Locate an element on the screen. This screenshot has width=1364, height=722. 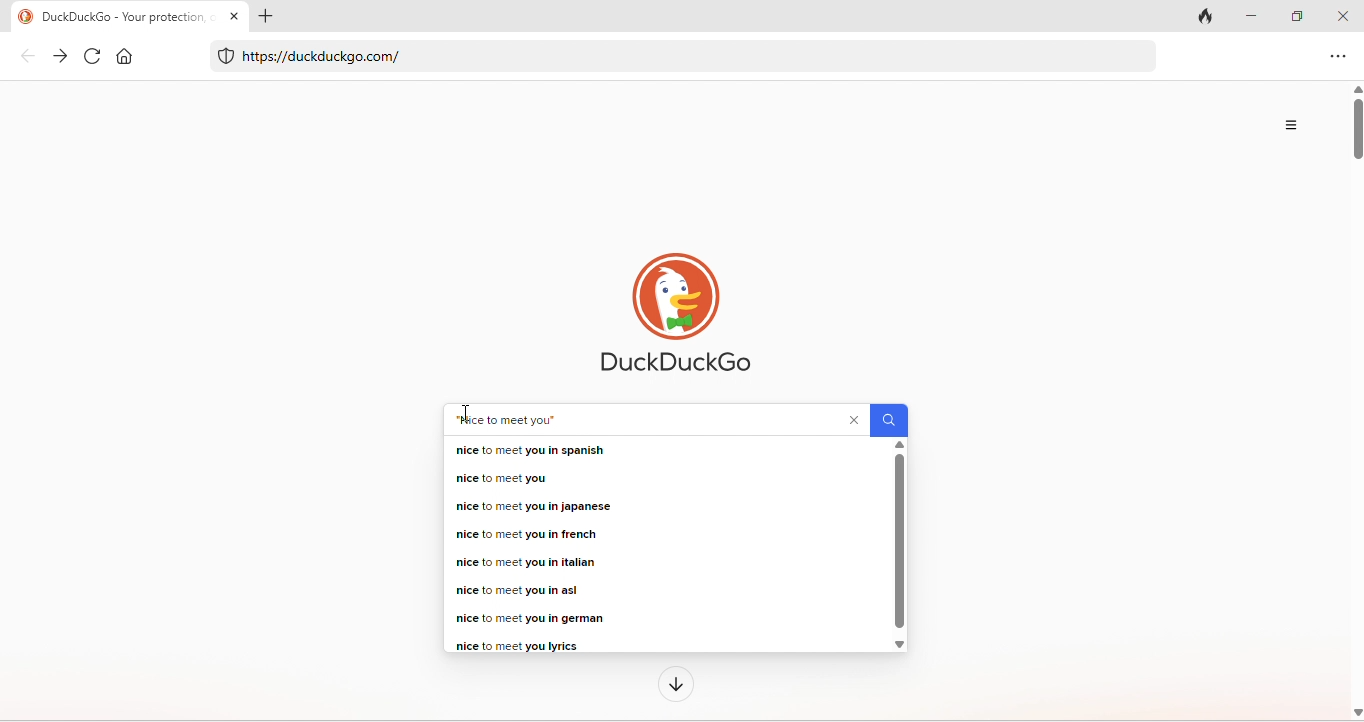
cursor is located at coordinates (468, 410).